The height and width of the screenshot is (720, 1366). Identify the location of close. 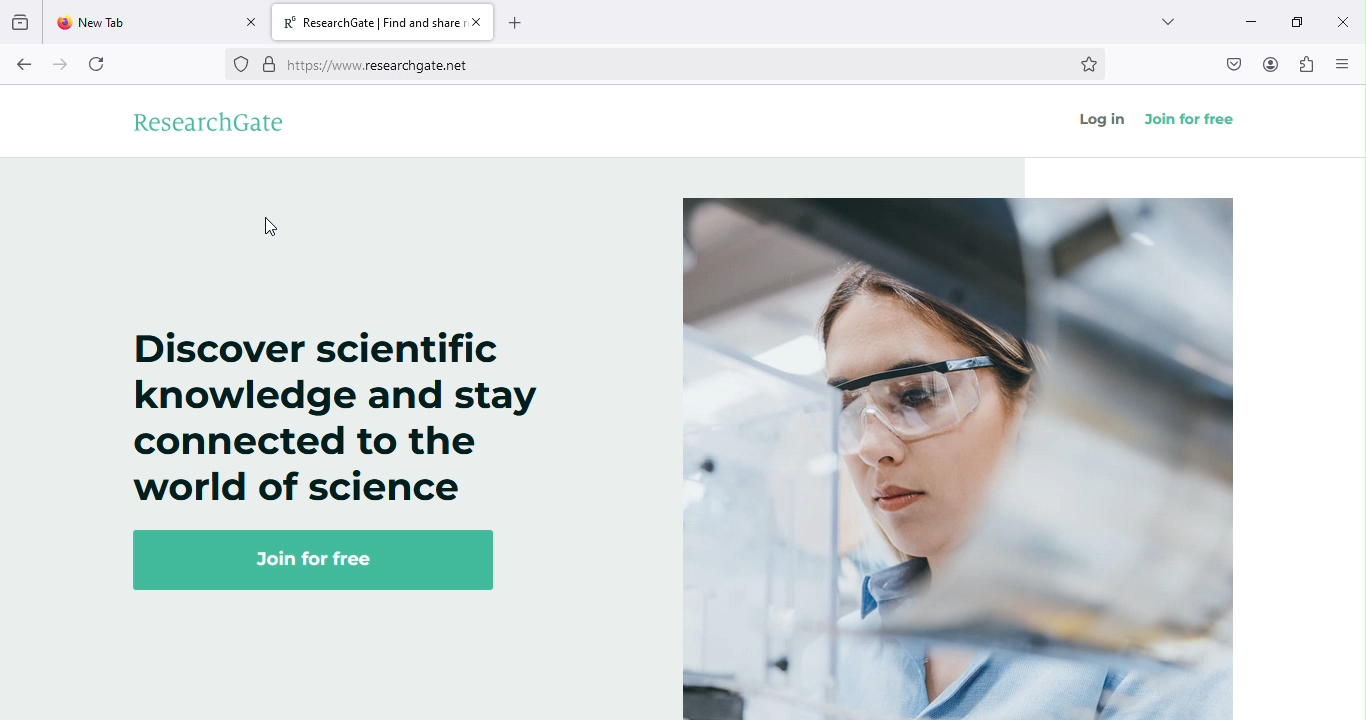
(477, 23).